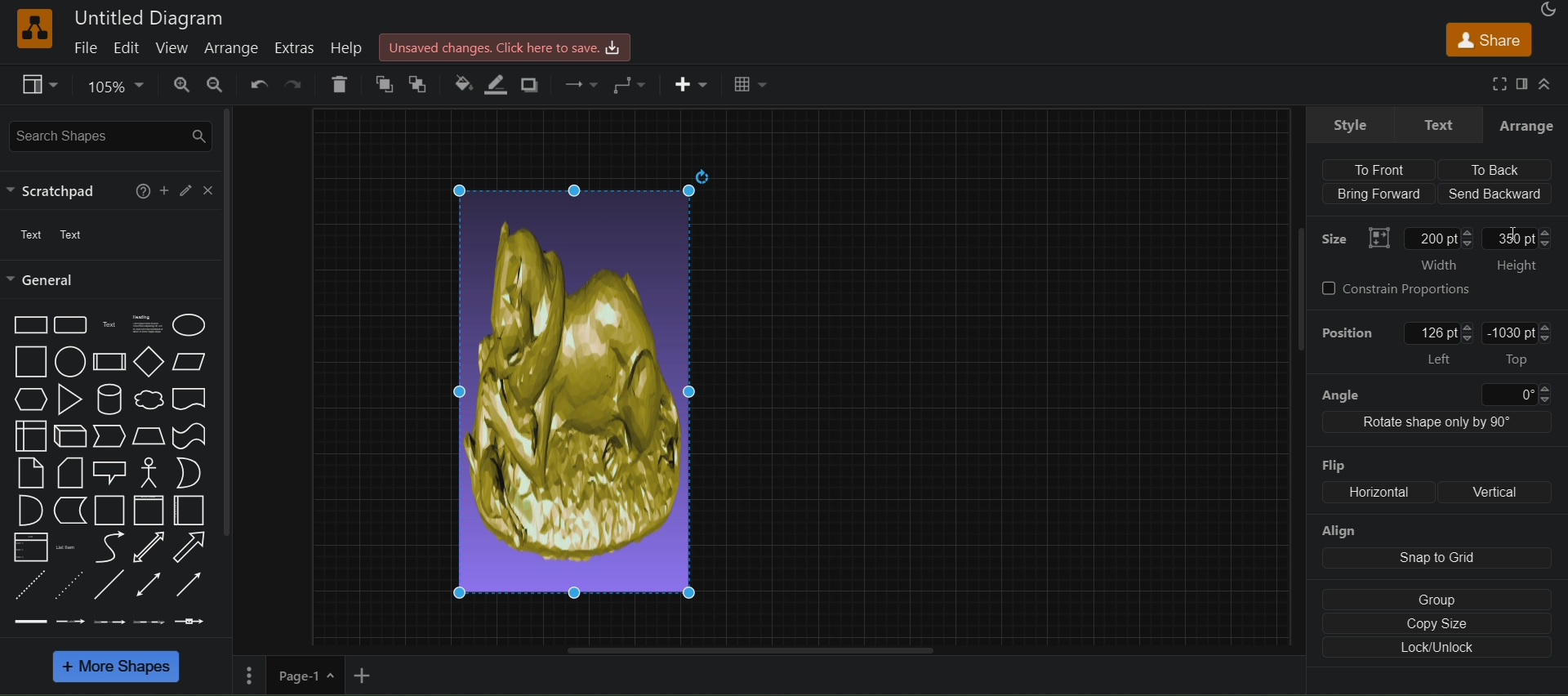 The width and height of the screenshot is (1568, 696). Describe the element at coordinates (177, 85) in the screenshot. I see `zoom in` at that location.